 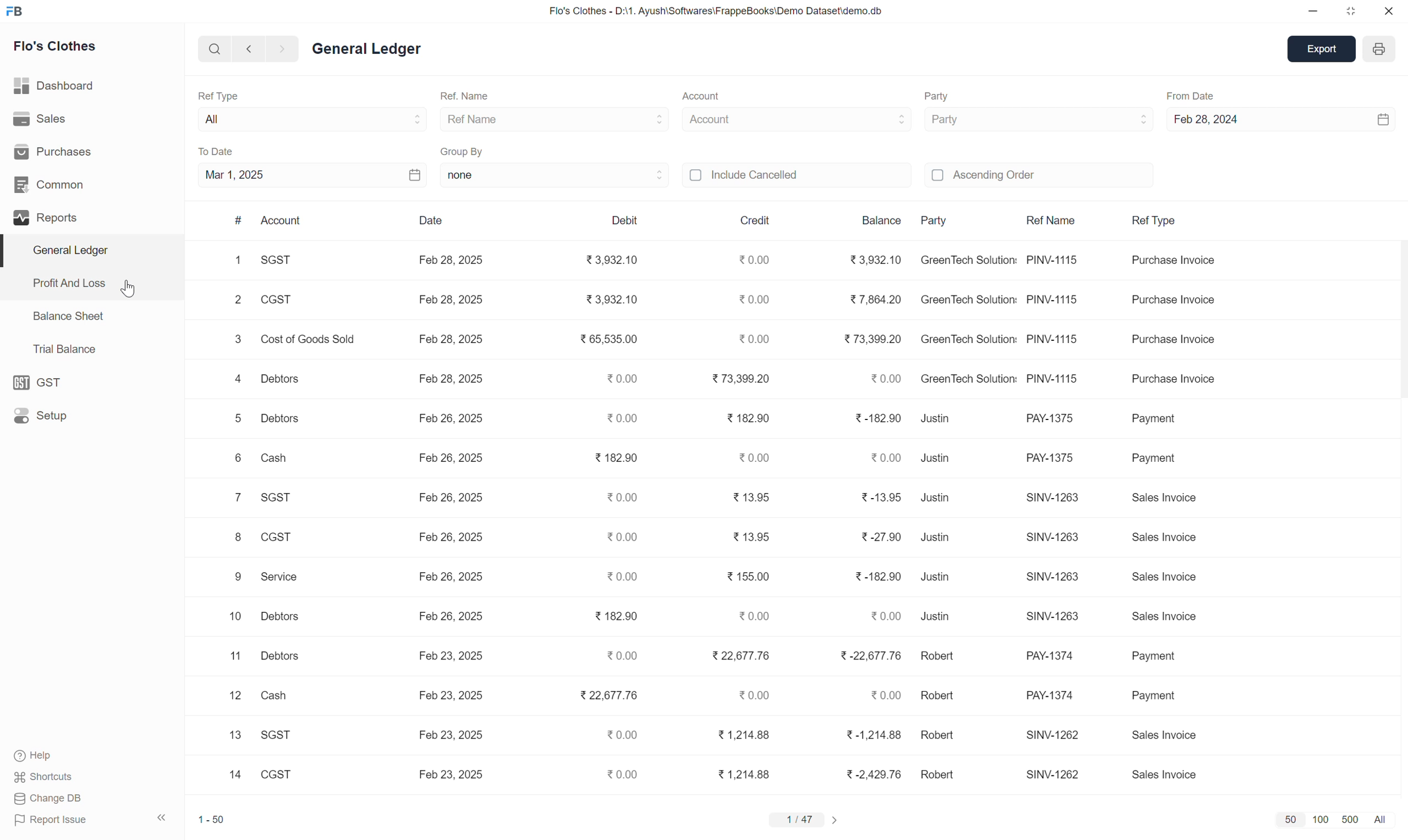 What do you see at coordinates (712, 95) in the screenshot?
I see `Account` at bounding box center [712, 95].